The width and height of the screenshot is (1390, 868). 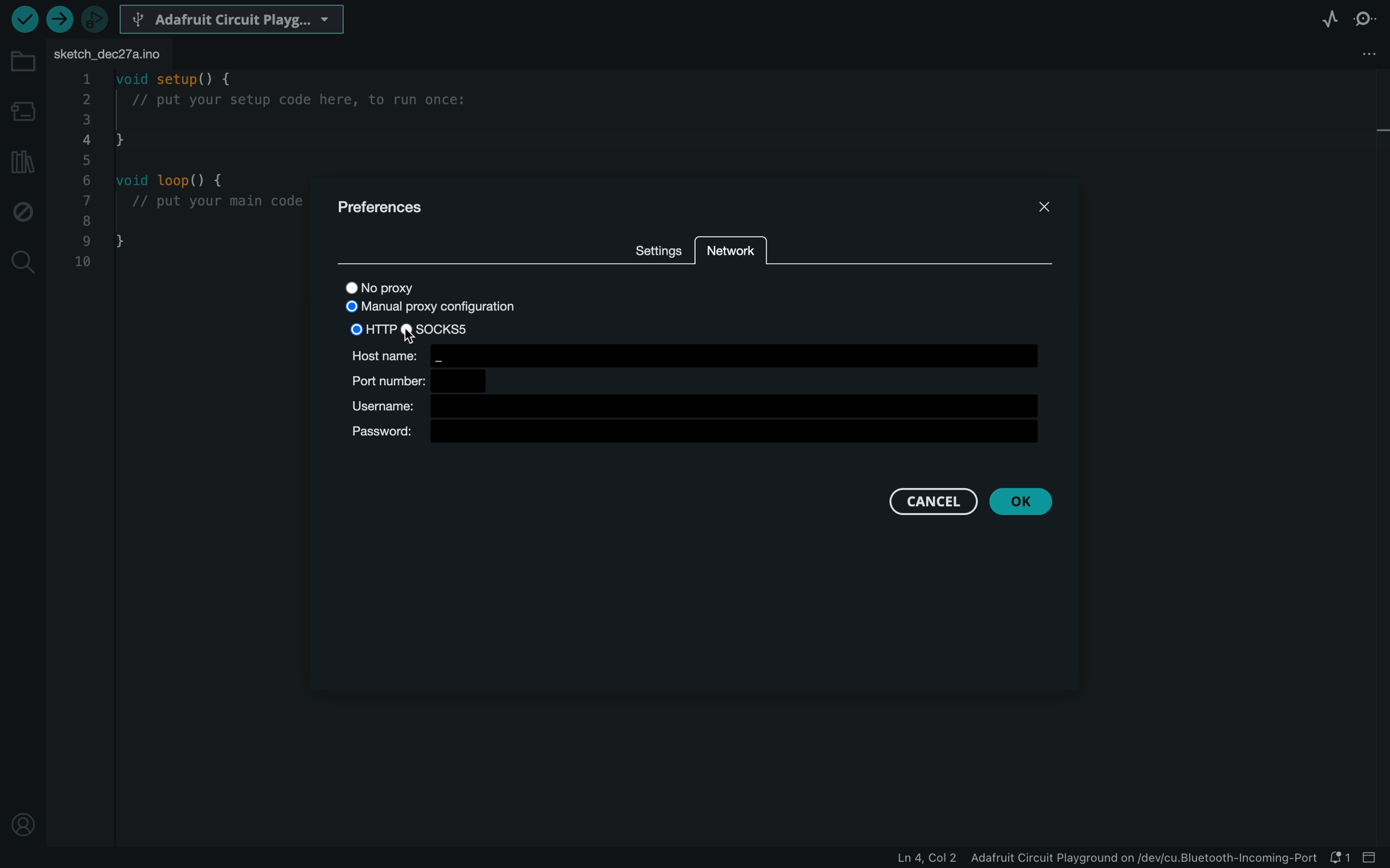 I want to click on verify, so click(x=25, y=21).